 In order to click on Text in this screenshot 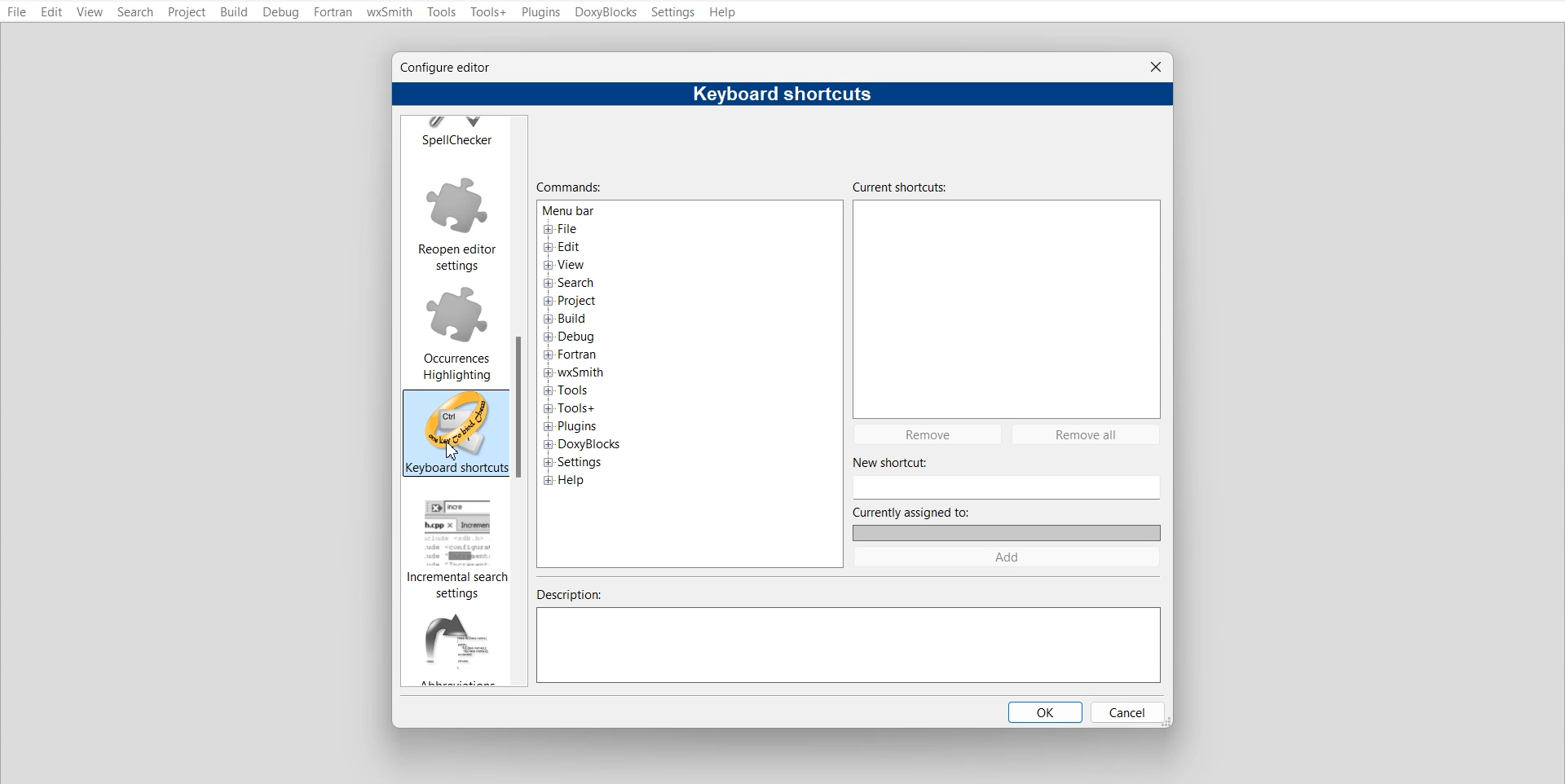, I will do `click(598, 350)`.